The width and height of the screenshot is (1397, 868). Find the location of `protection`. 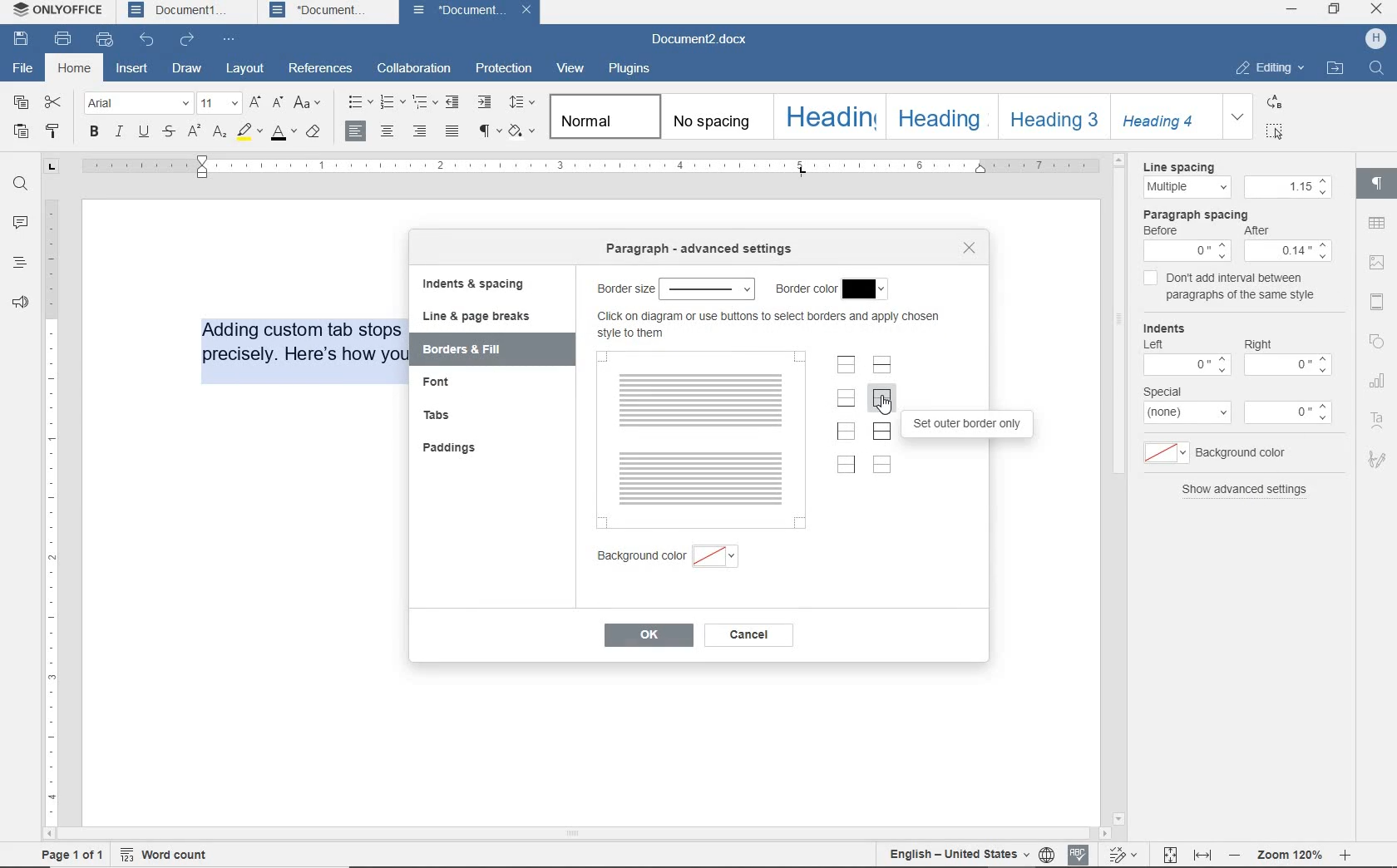

protection is located at coordinates (502, 69).